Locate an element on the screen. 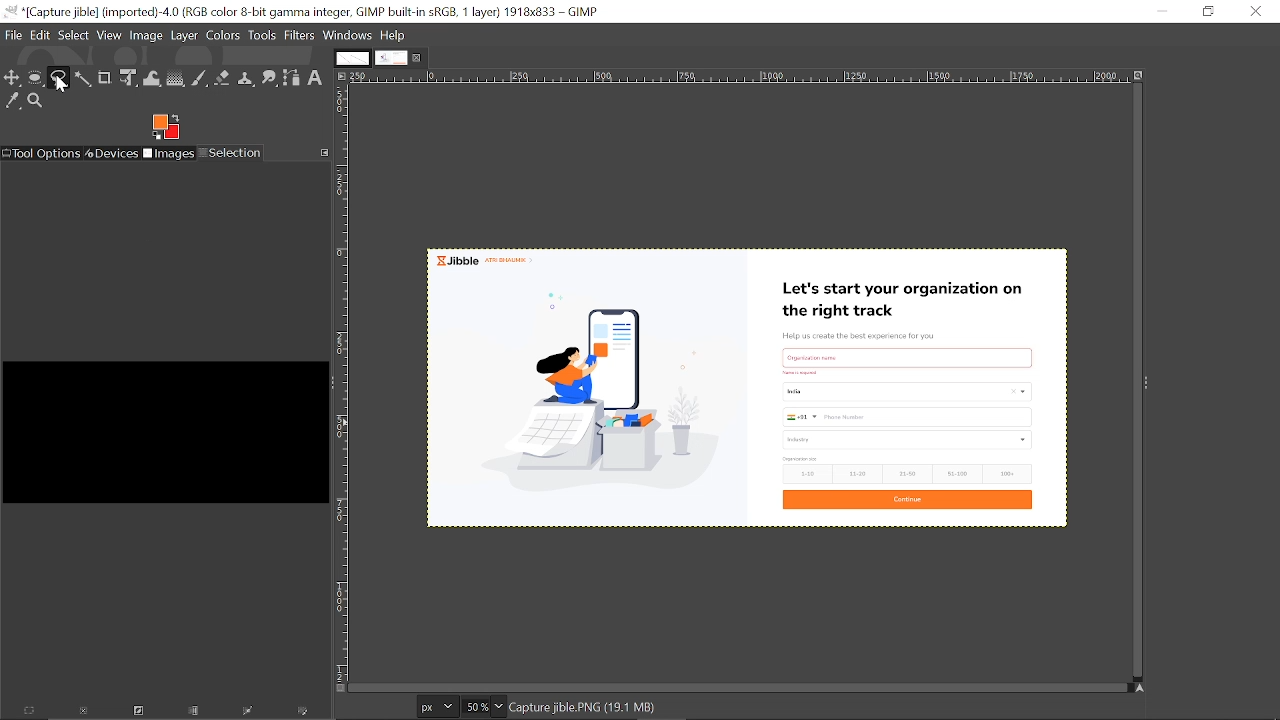 This screenshot has width=1280, height=720. Selection to path is located at coordinates (250, 713).